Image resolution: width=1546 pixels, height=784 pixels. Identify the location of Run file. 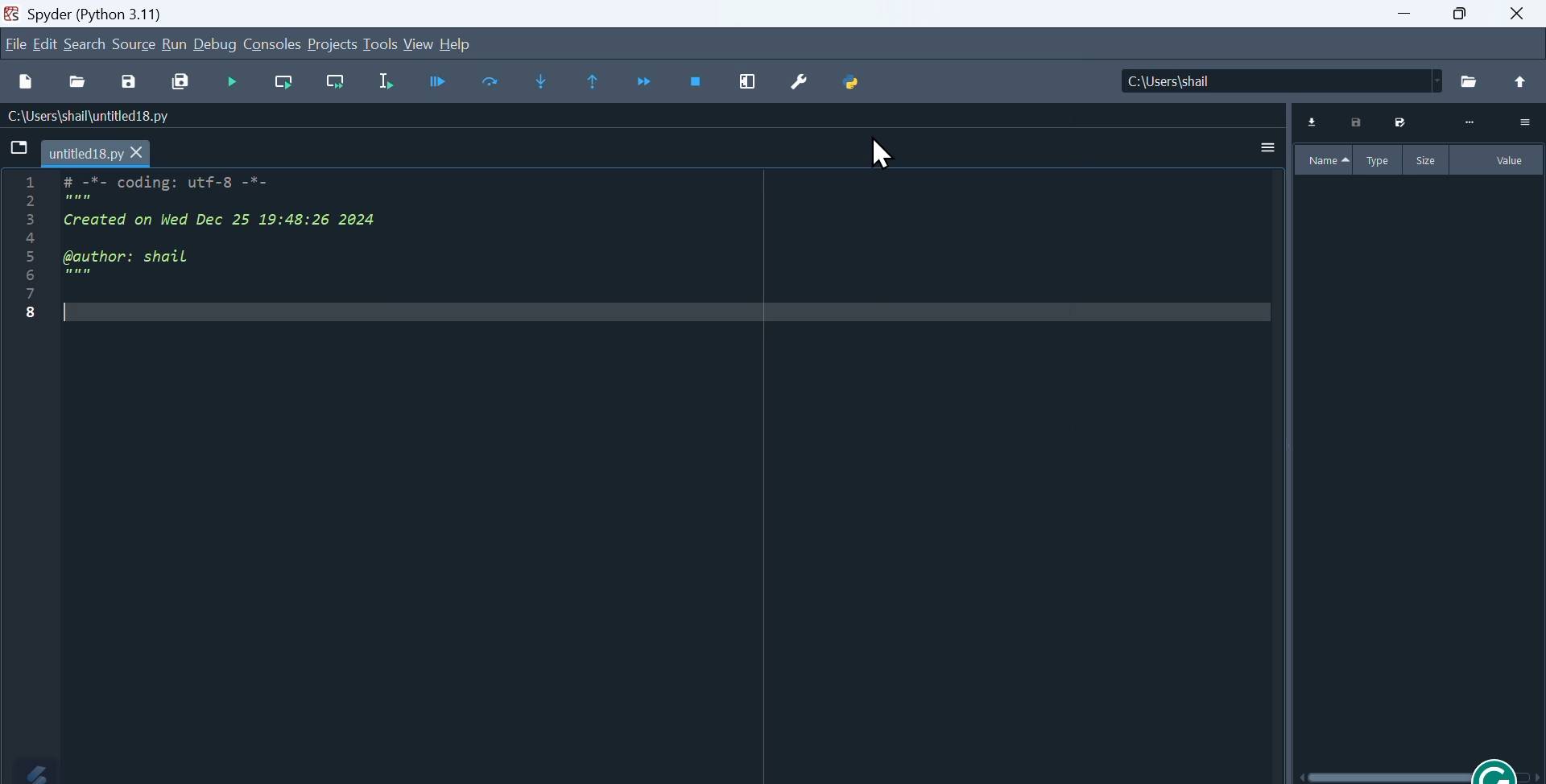
(236, 81).